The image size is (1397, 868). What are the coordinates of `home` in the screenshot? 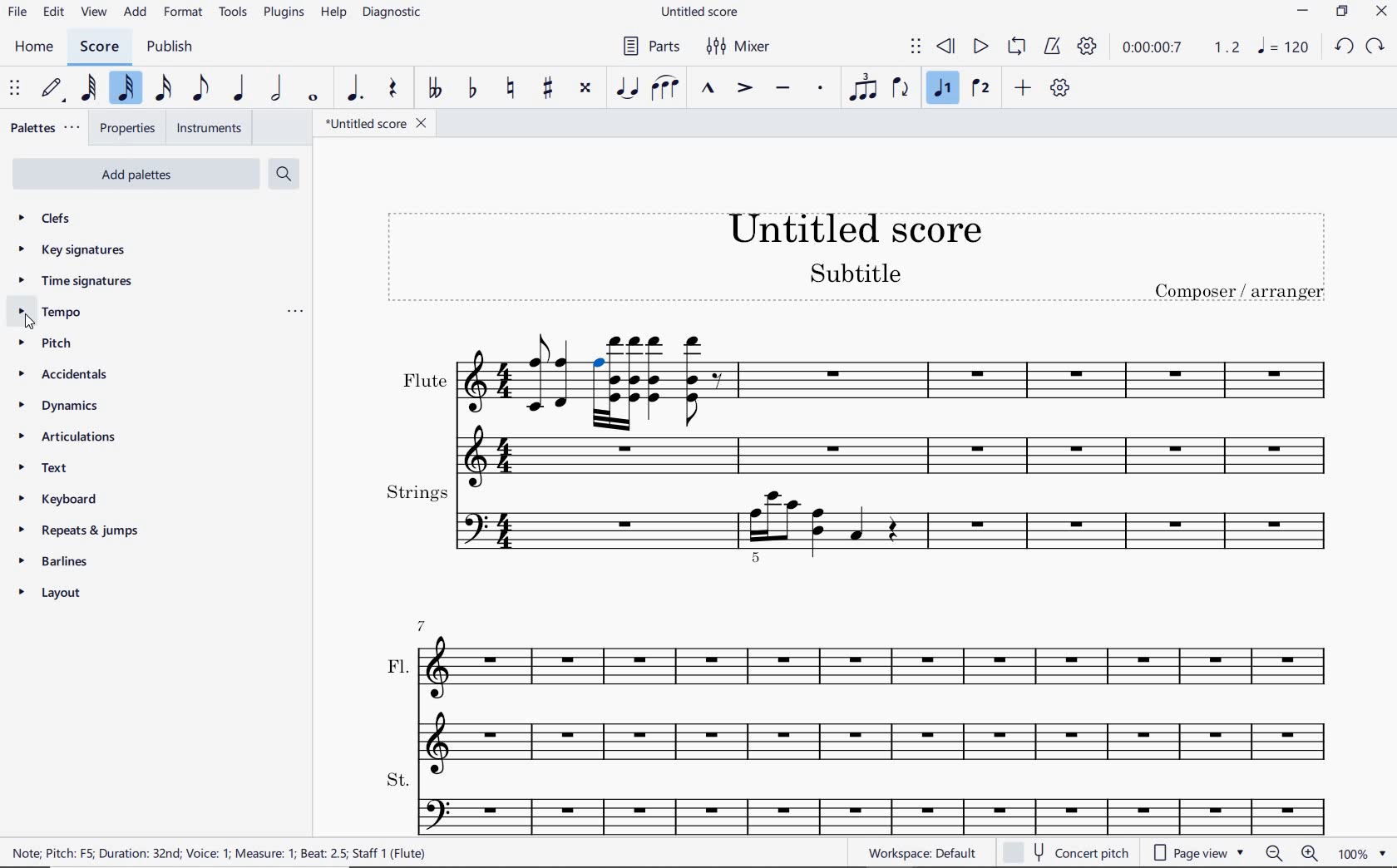 It's located at (34, 46).